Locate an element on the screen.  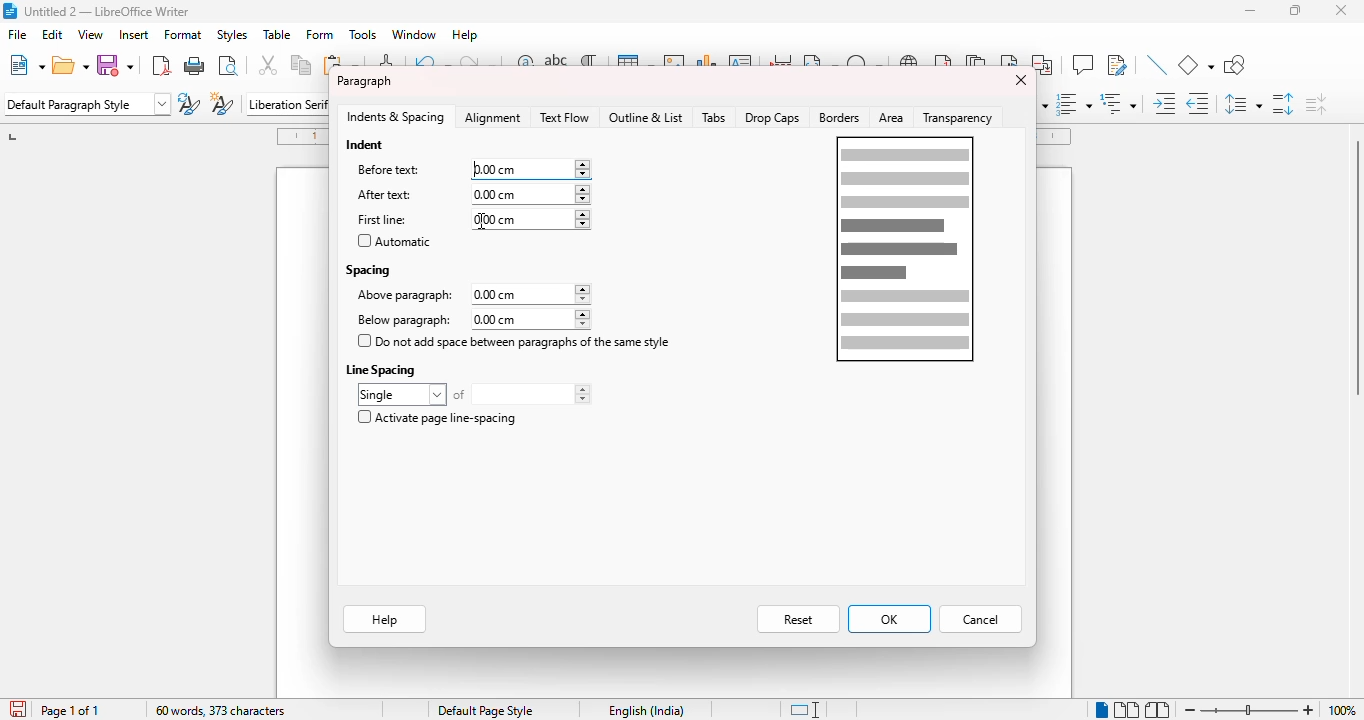
table is located at coordinates (277, 35).